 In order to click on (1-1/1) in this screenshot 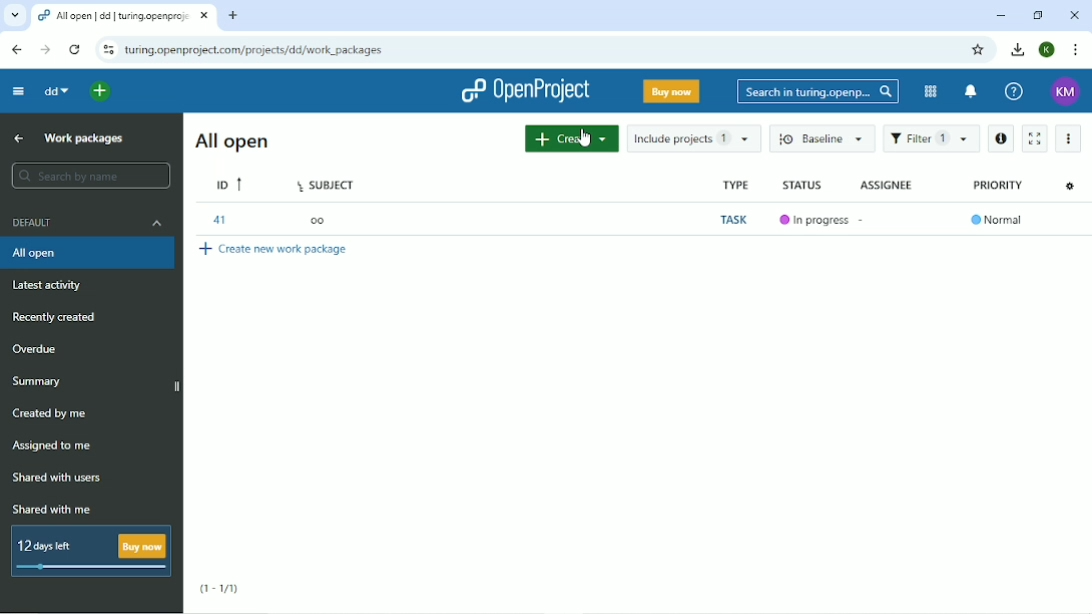, I will do `click(220, 590)`.